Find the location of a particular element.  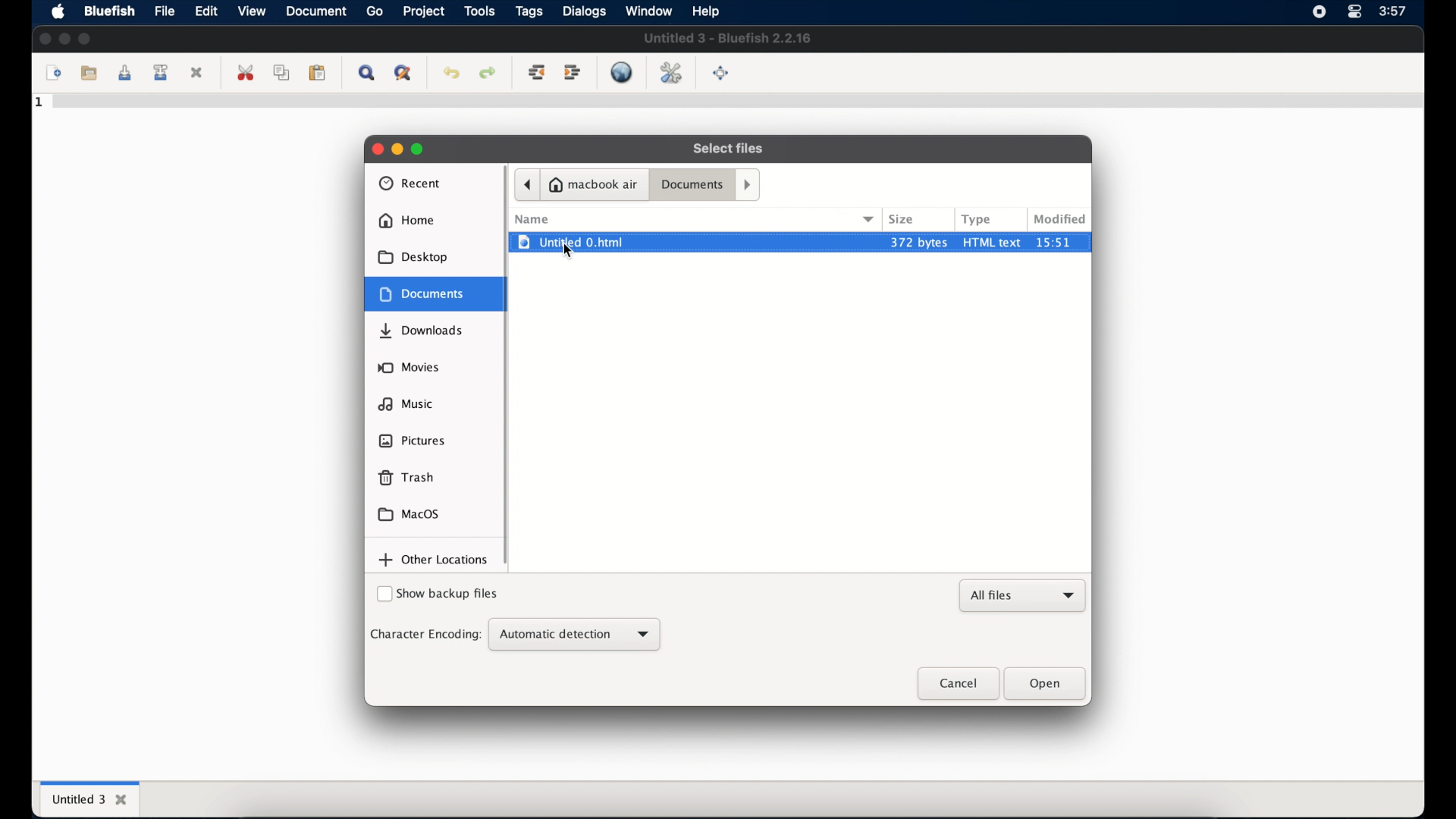

music is located at coordinates (406, 403).